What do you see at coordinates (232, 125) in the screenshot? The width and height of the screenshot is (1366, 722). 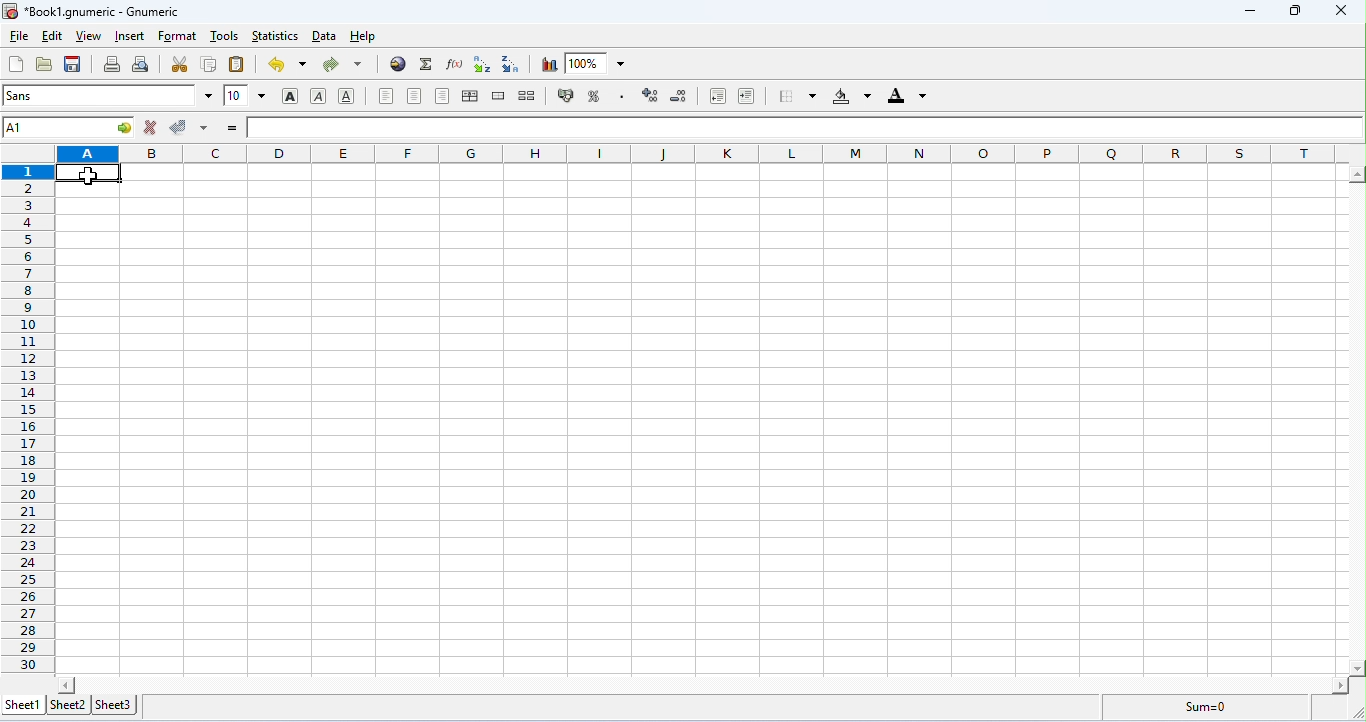 I see `=` at bounding box center [232, 125].